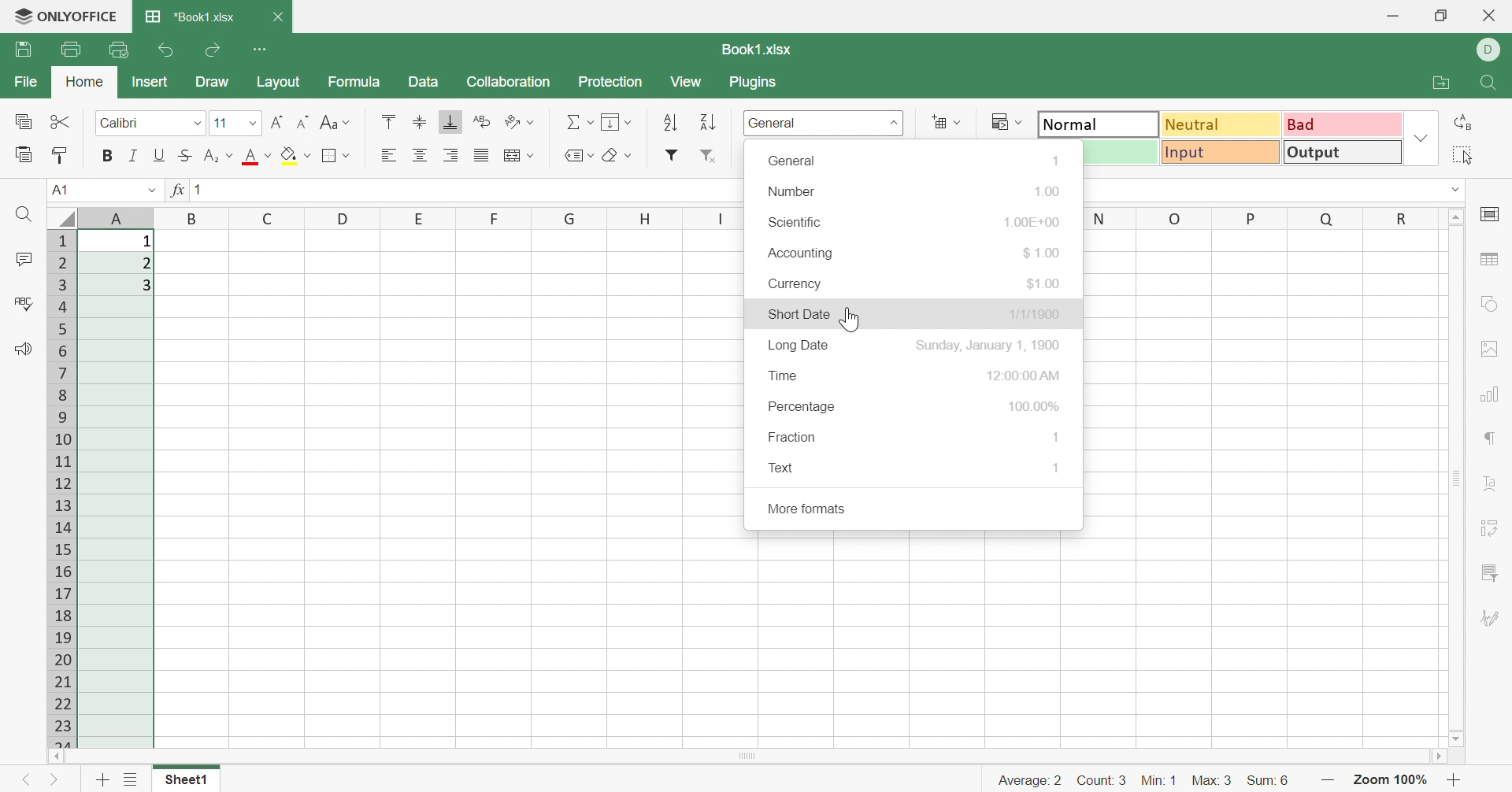 This screenshot has width=1512, height=792. What do you see at coordinates (277, 17) in the screenshot?
I see `Close` at bounding box center [277, 17].